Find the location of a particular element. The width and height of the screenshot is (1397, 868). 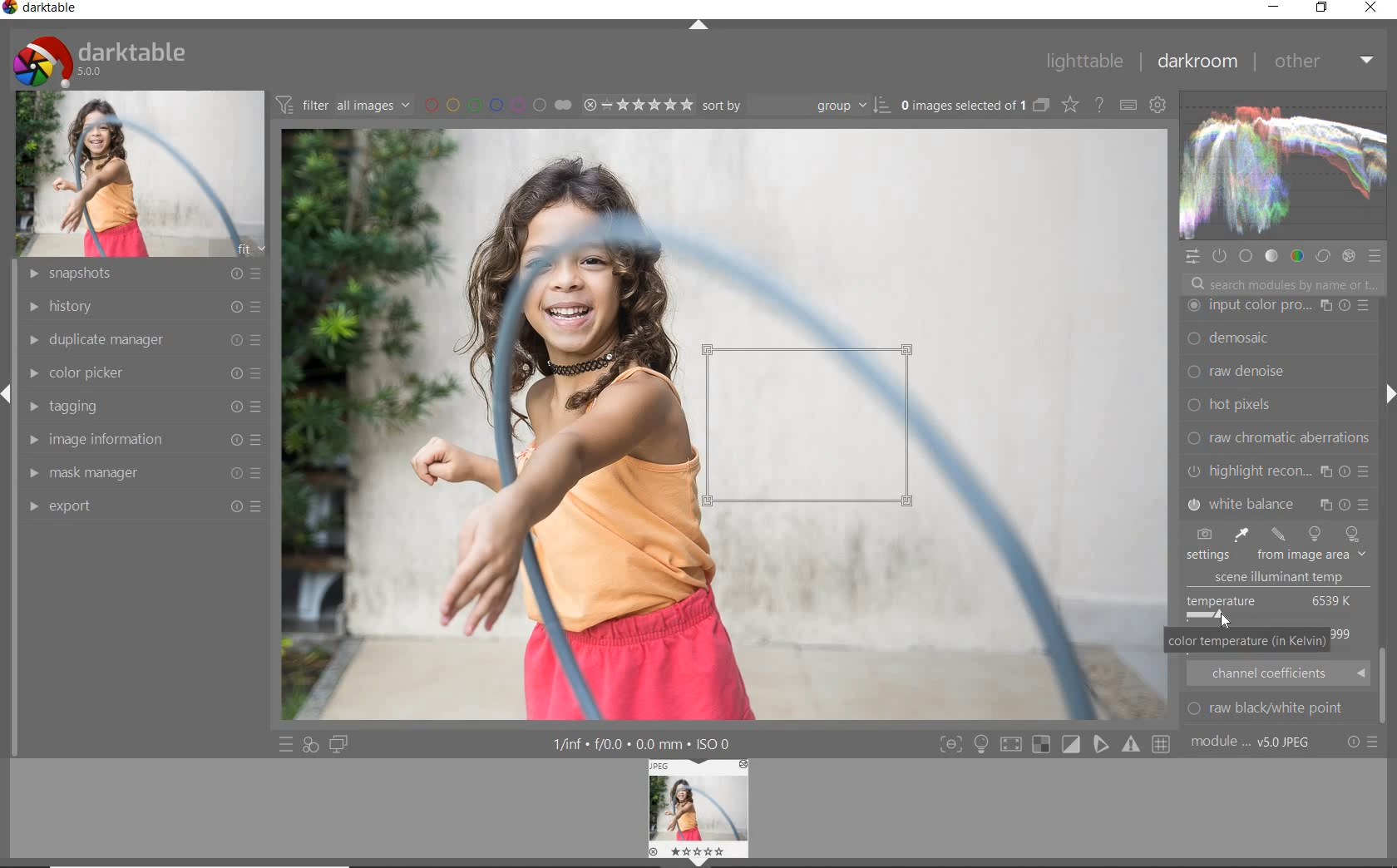

collapse grouped images is located at coordinates (1040, 106).